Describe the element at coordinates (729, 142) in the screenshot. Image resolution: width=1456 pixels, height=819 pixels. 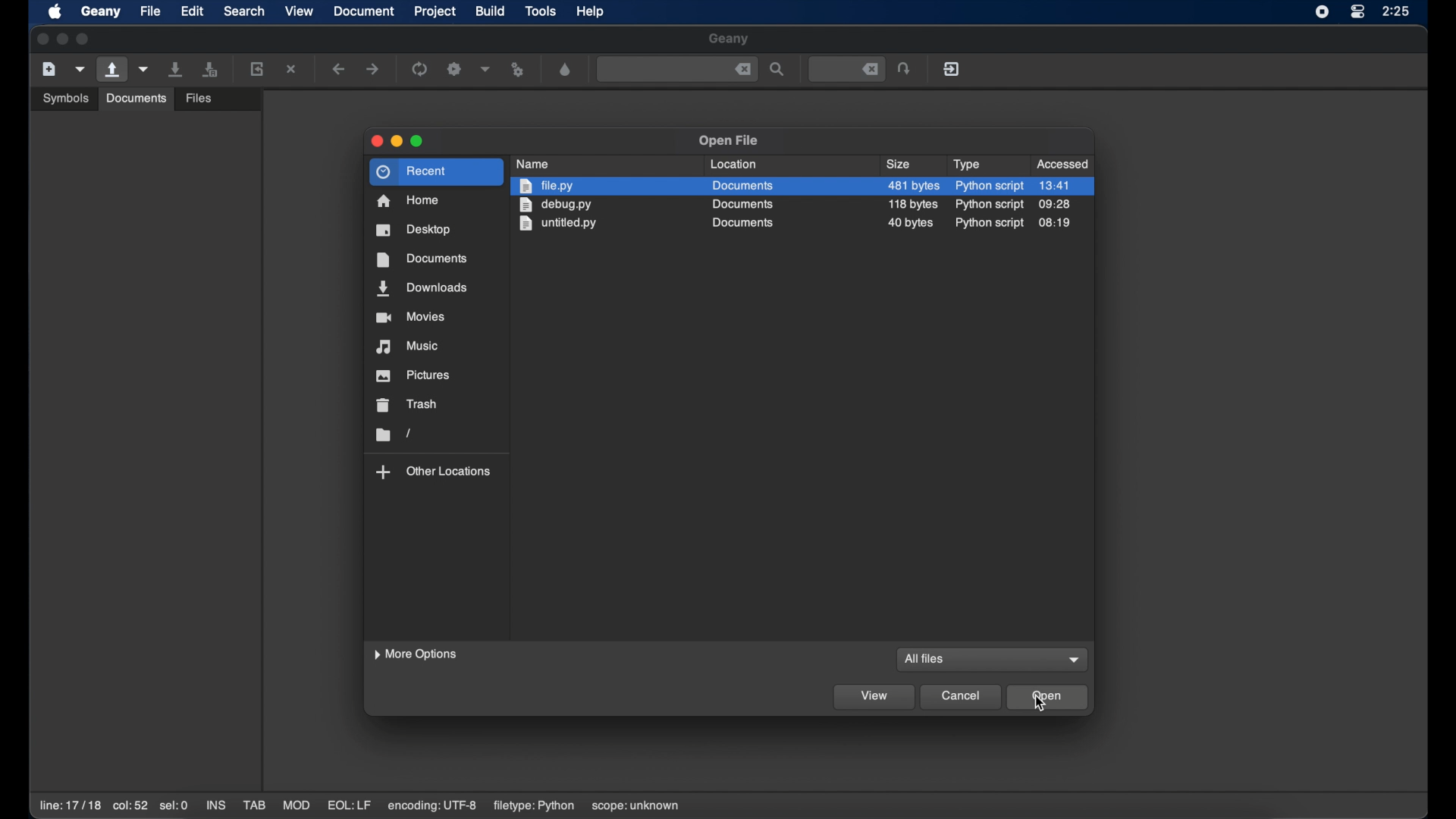
I see `open file` at that location.